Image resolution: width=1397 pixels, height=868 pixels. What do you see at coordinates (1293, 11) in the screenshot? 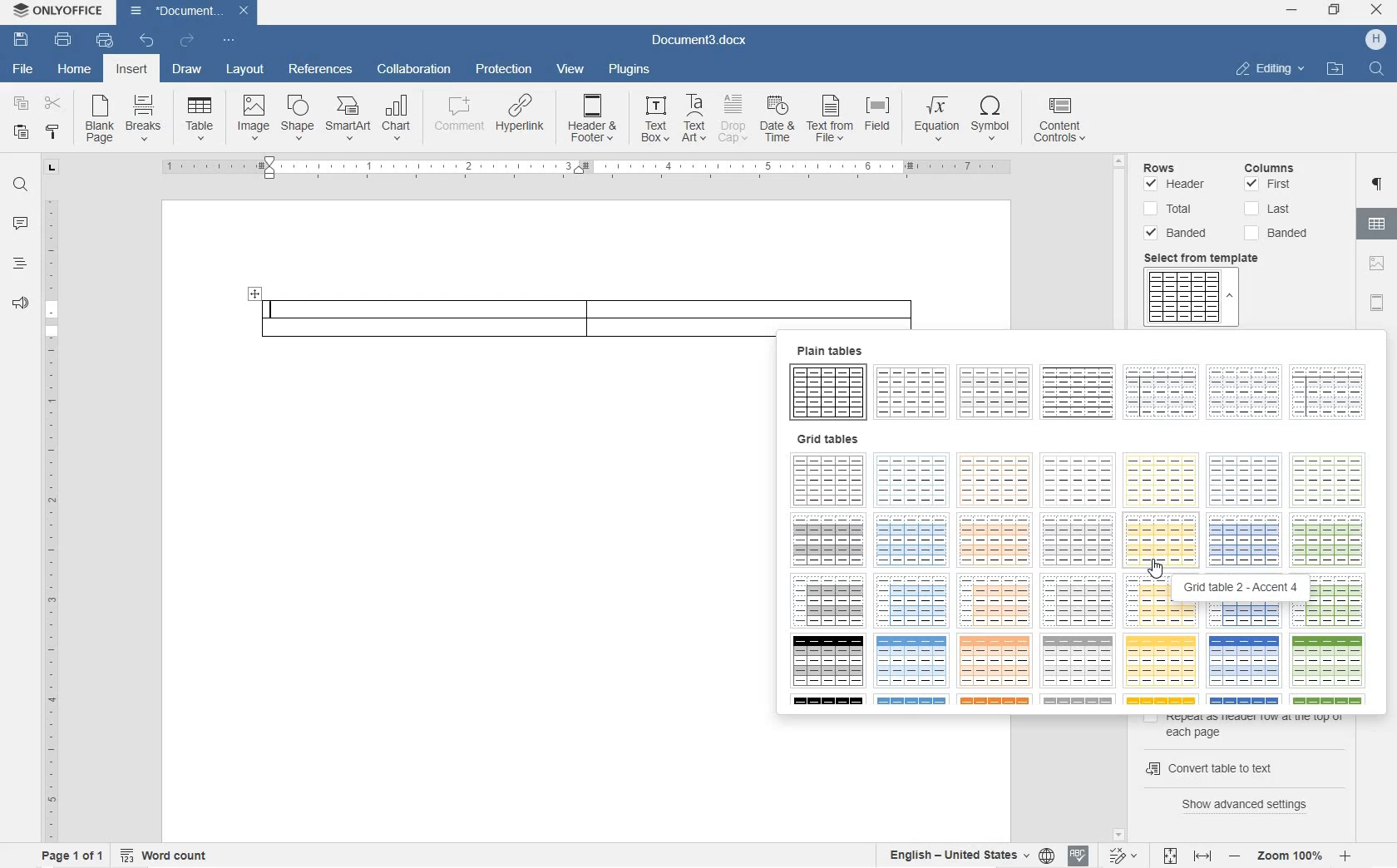
I see `MINIMIZE` at bounding box center [1293, 11].